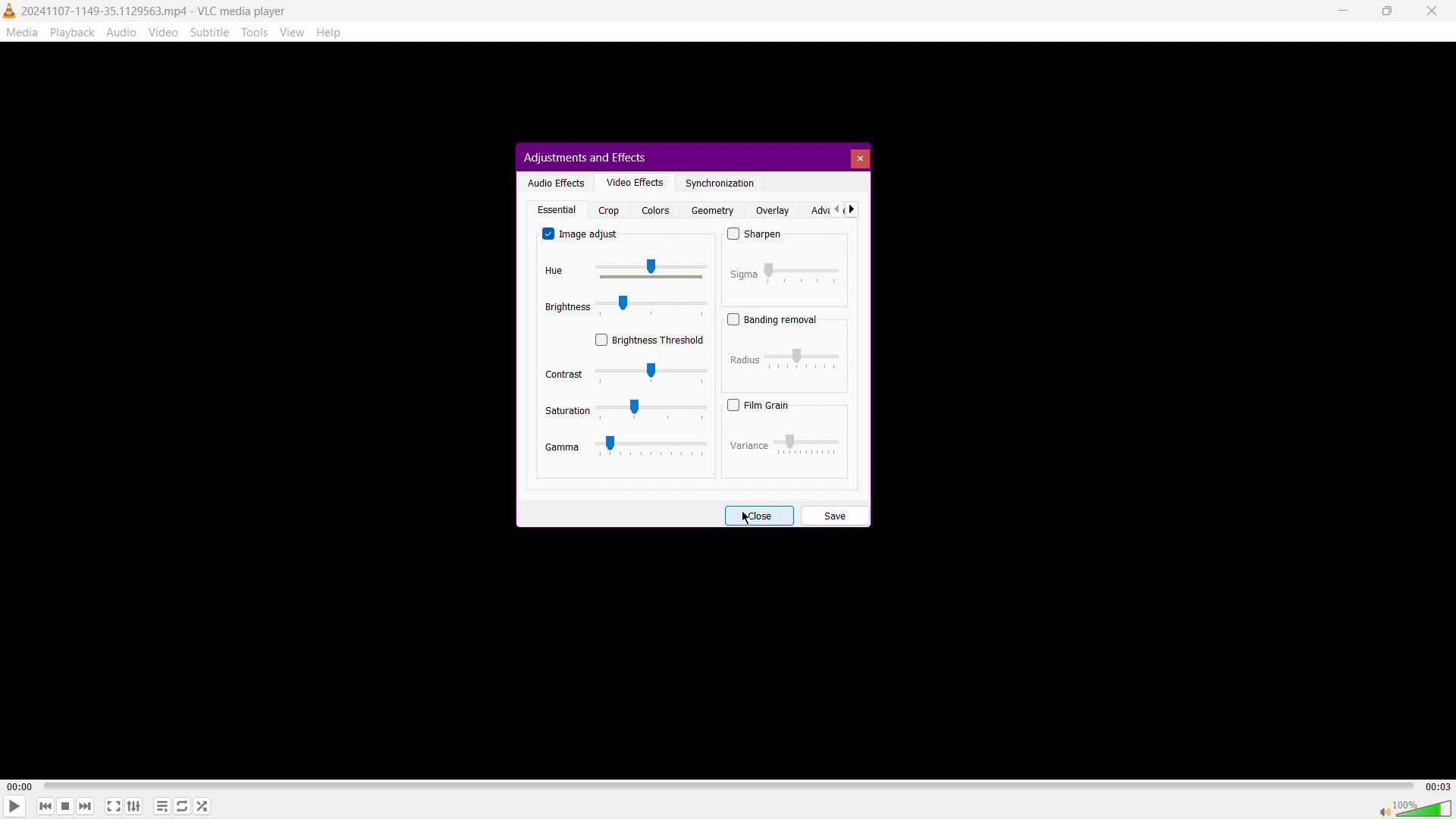  Describe the element at coordinates (211, 32) in the screenshot. I see `Subtitle` at that location.